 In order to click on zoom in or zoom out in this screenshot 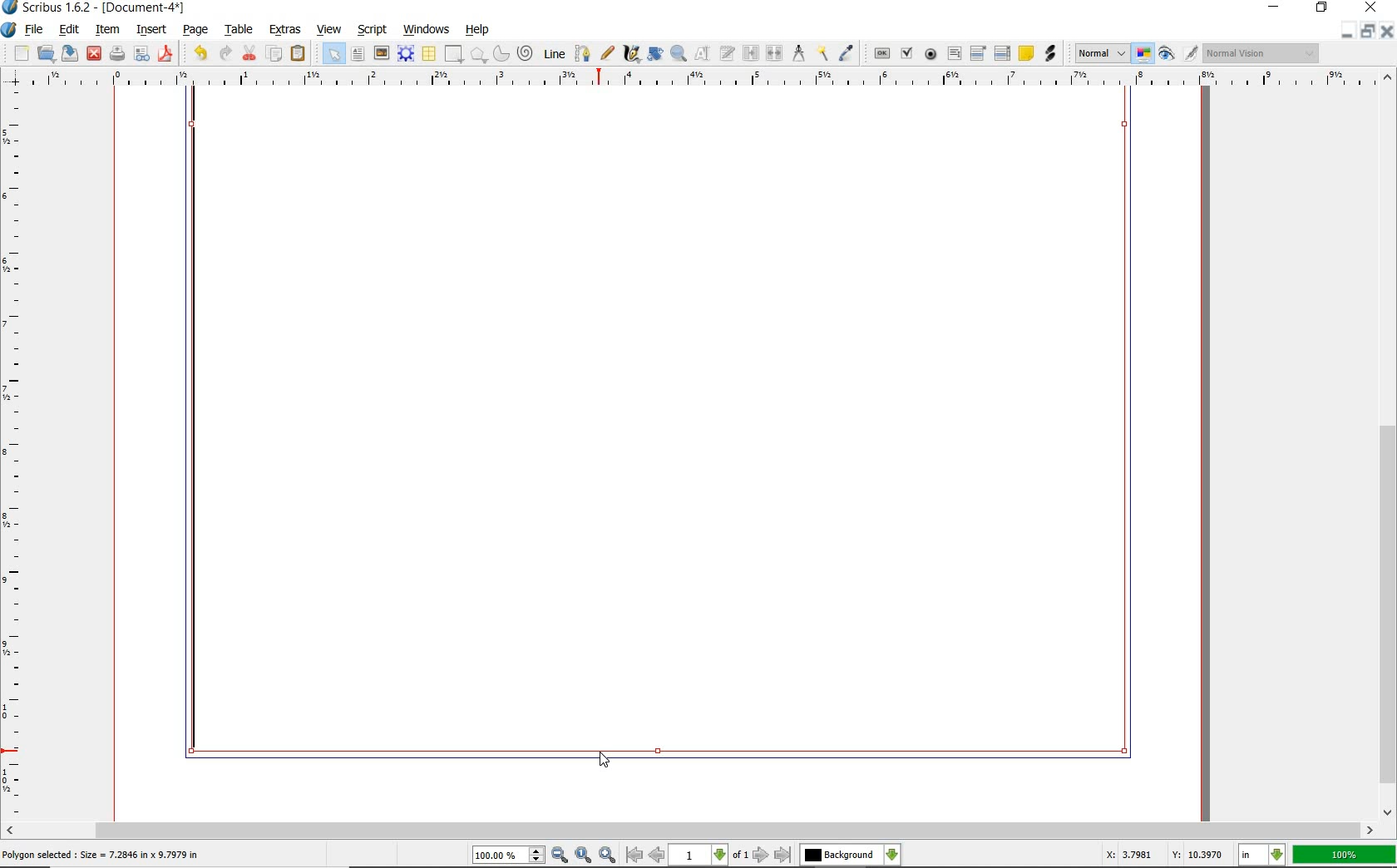, I will do `click(678, 55)`.